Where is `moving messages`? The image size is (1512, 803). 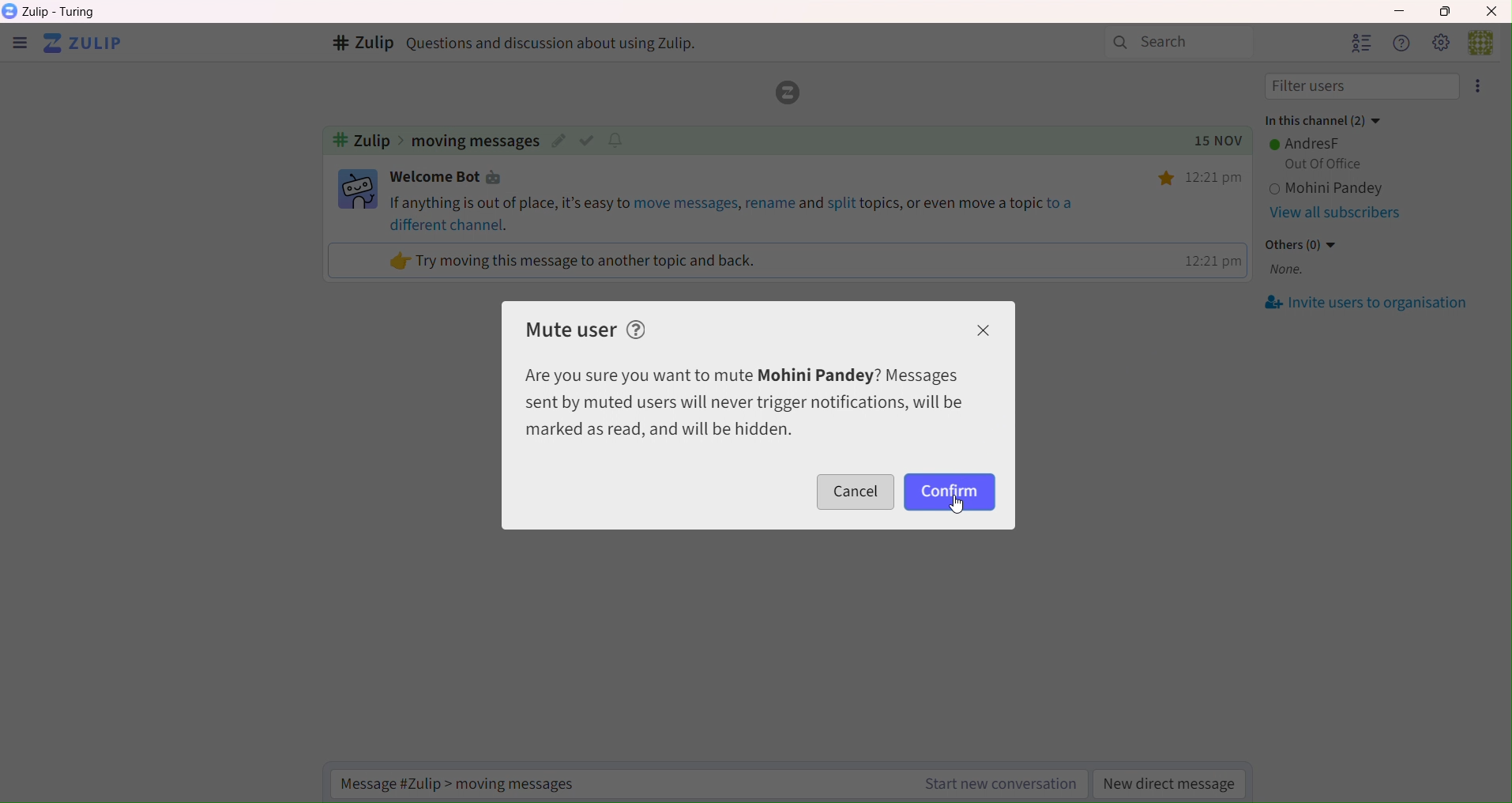
moving messages is located at coordinates (475, 141).